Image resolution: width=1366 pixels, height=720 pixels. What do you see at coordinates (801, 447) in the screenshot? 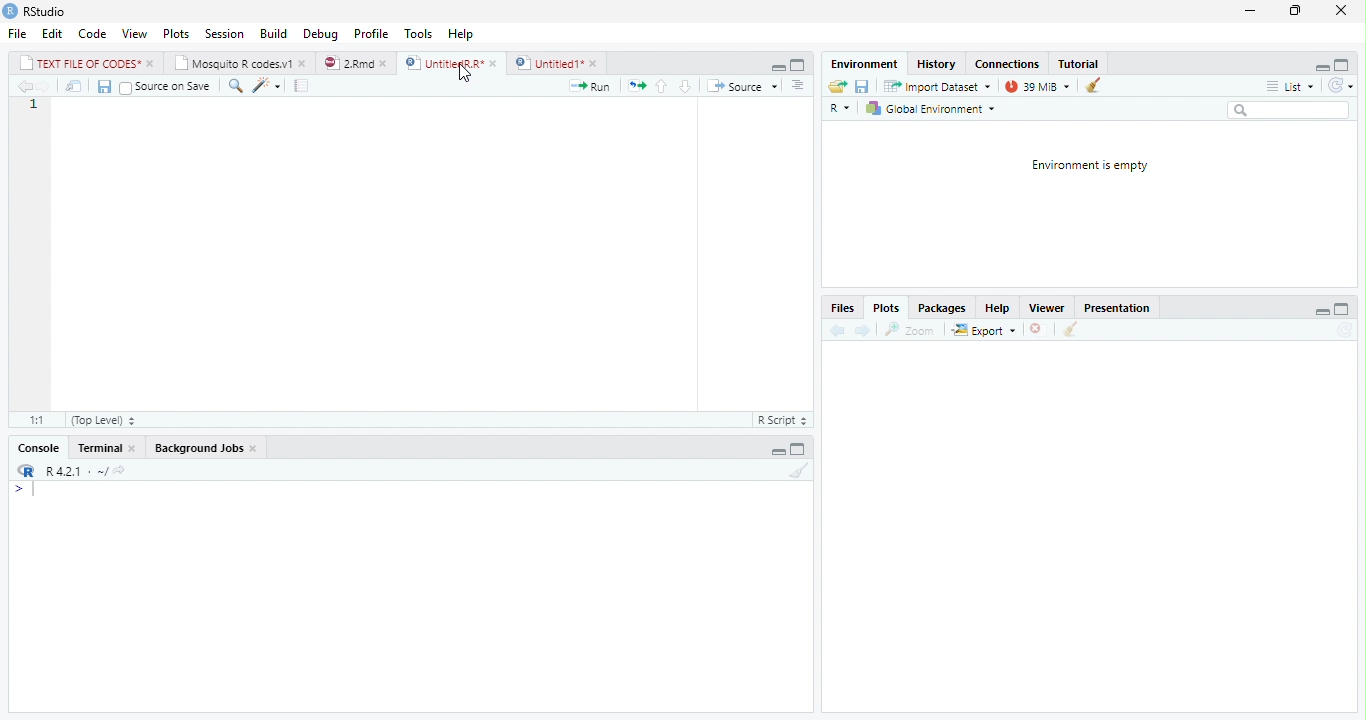
I see `Maximize` at bounding box center [801, 447].